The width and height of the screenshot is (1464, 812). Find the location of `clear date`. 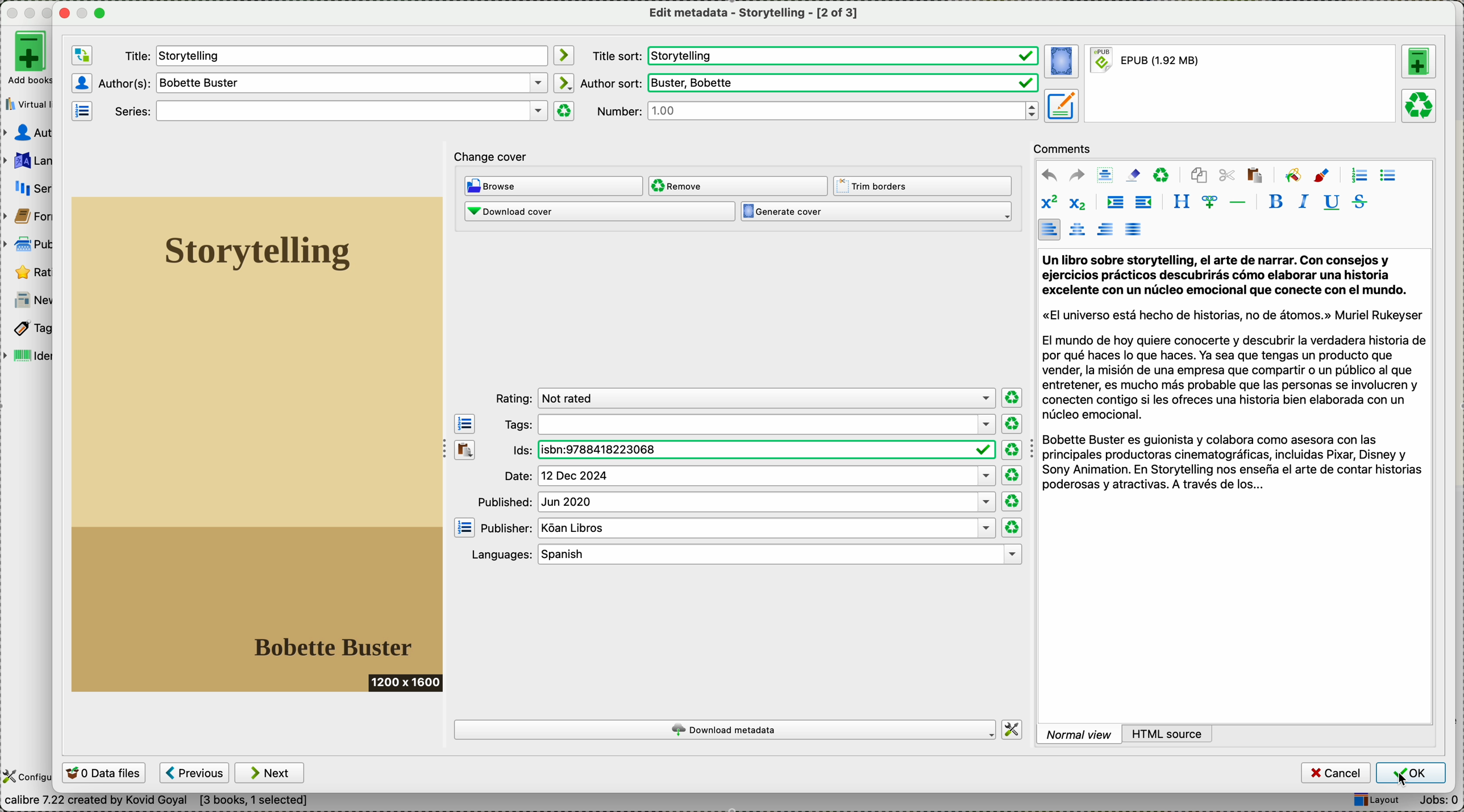

clear date is located at coordinates (1011, 501).